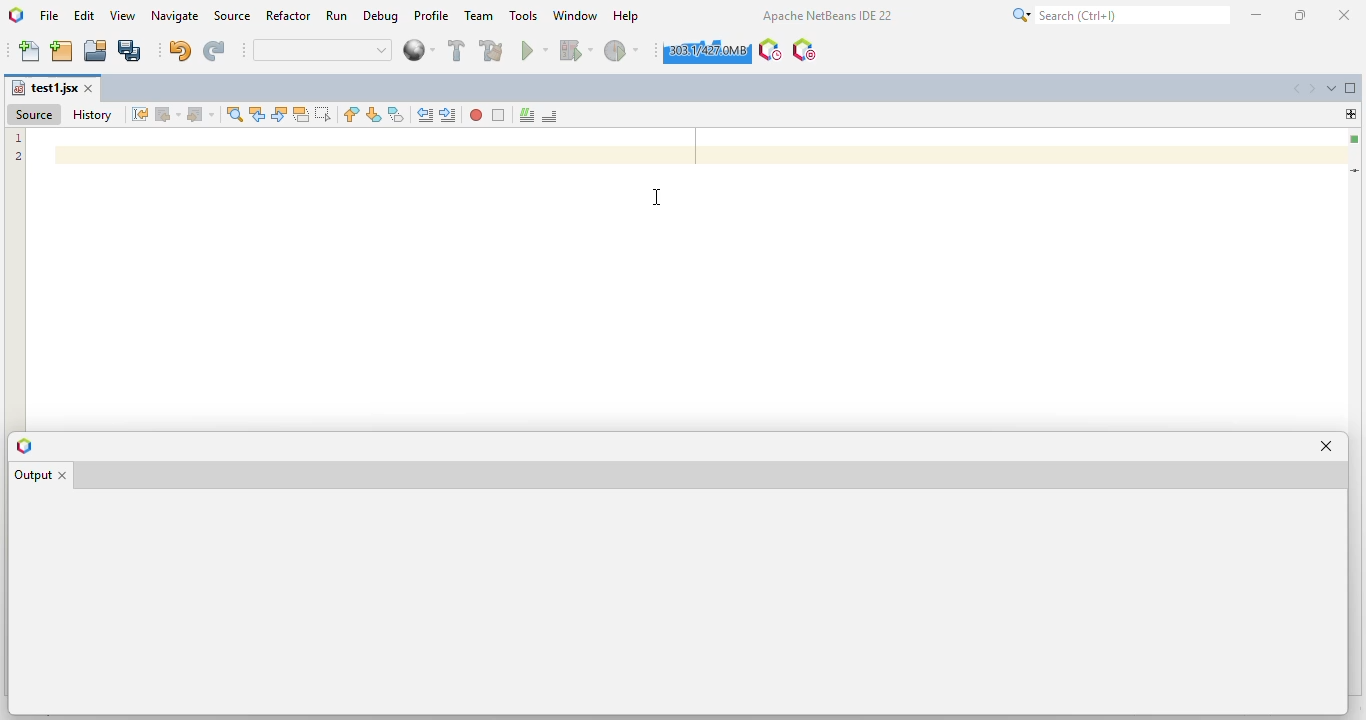 The image size is (1366, 720). What do you see at coordinates (476, 115) in the screenshot?
I see `start macro recording` at bounding box center [476, 115].